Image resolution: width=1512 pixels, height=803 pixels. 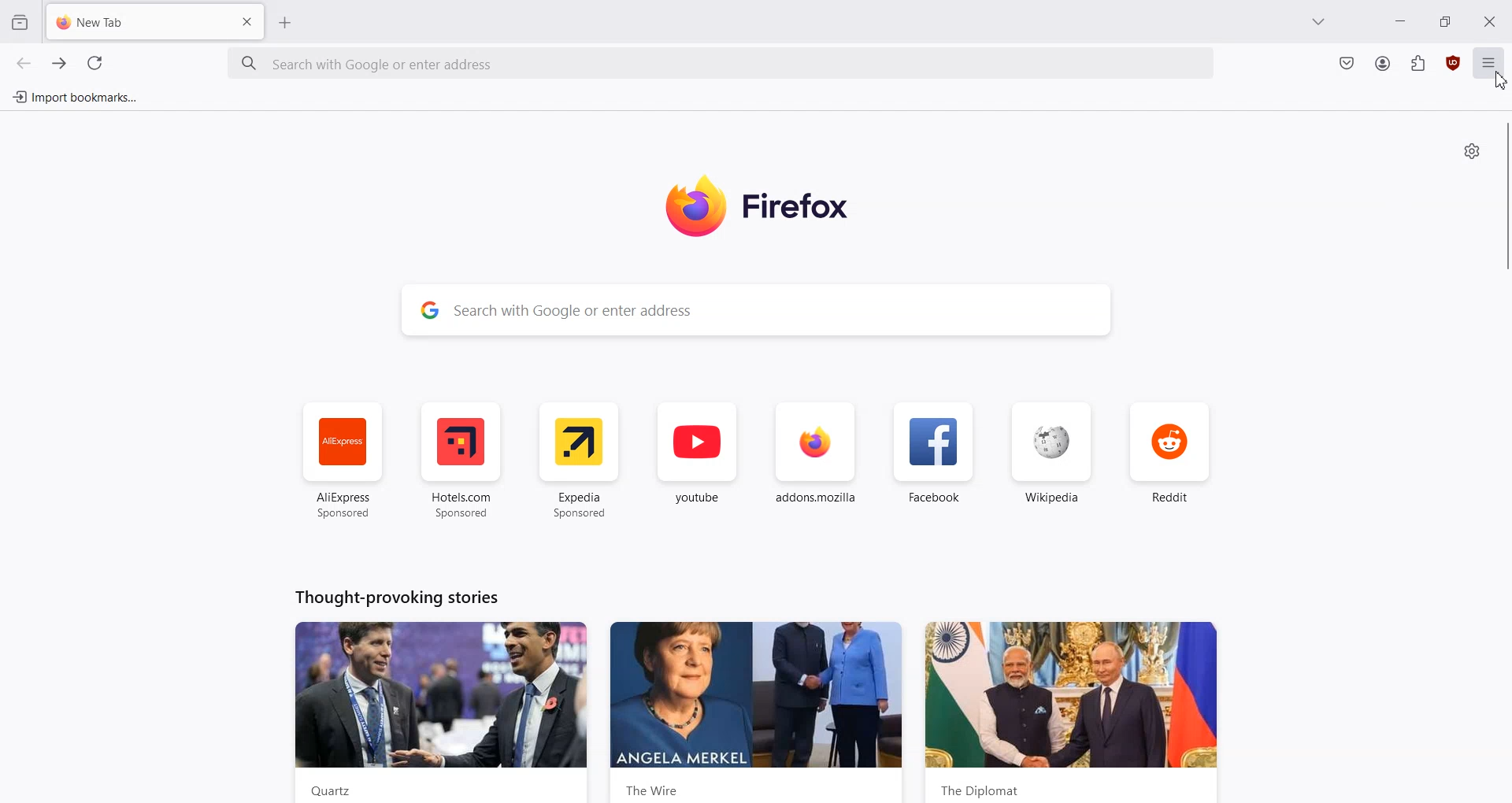 What do you see at coordinates (935, 461) in the screenshot?
I see `Facebook` at bounding box center [935, 461].